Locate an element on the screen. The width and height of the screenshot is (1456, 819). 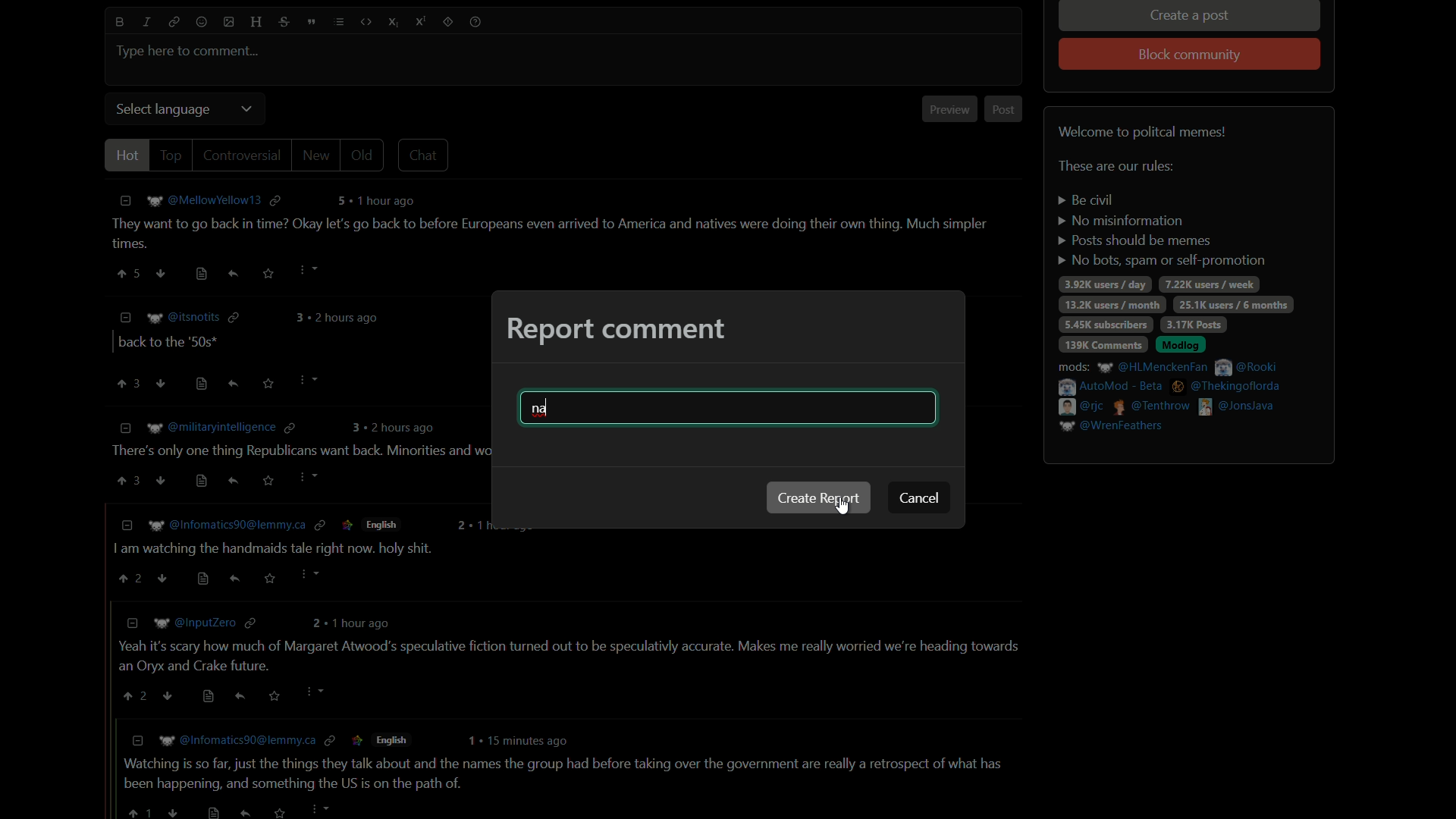
reply is located at coordinates (234, 384).